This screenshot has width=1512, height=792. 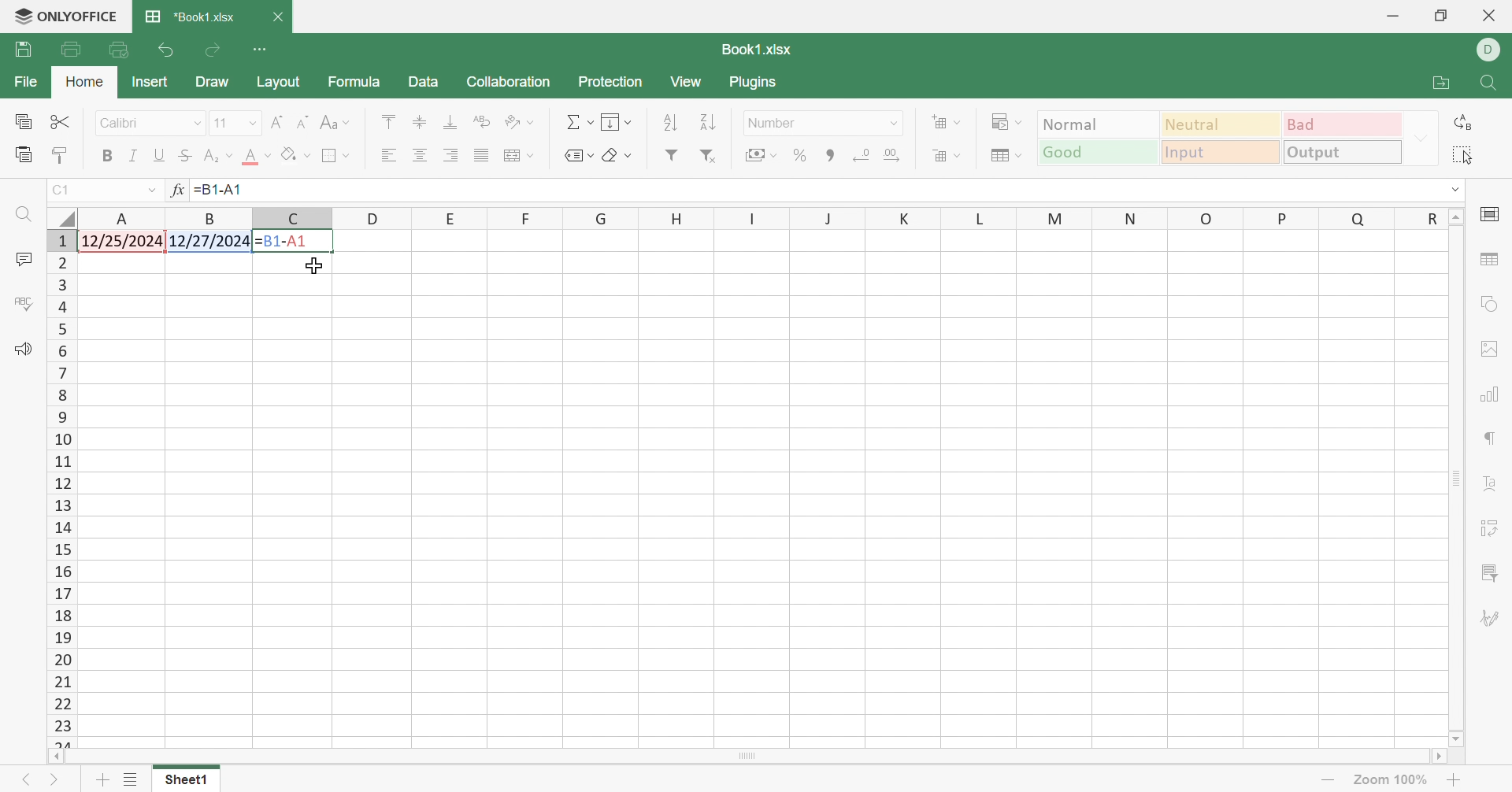 What do you see at coordinates (24, 121) in the screenshot?
I see `Copy` at bounding box center [24, 121].